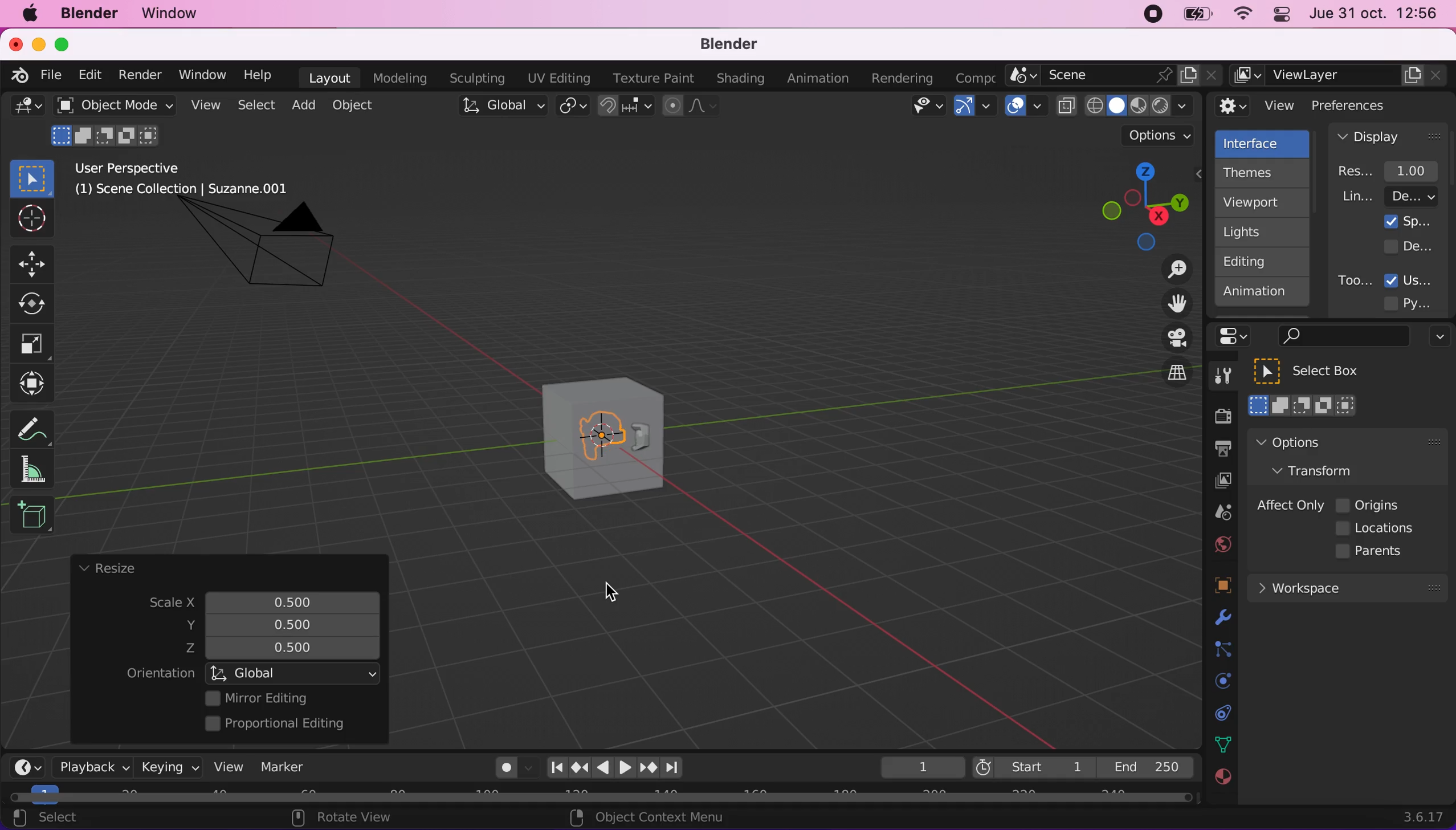  I want to click on options, so click(1320, 442).